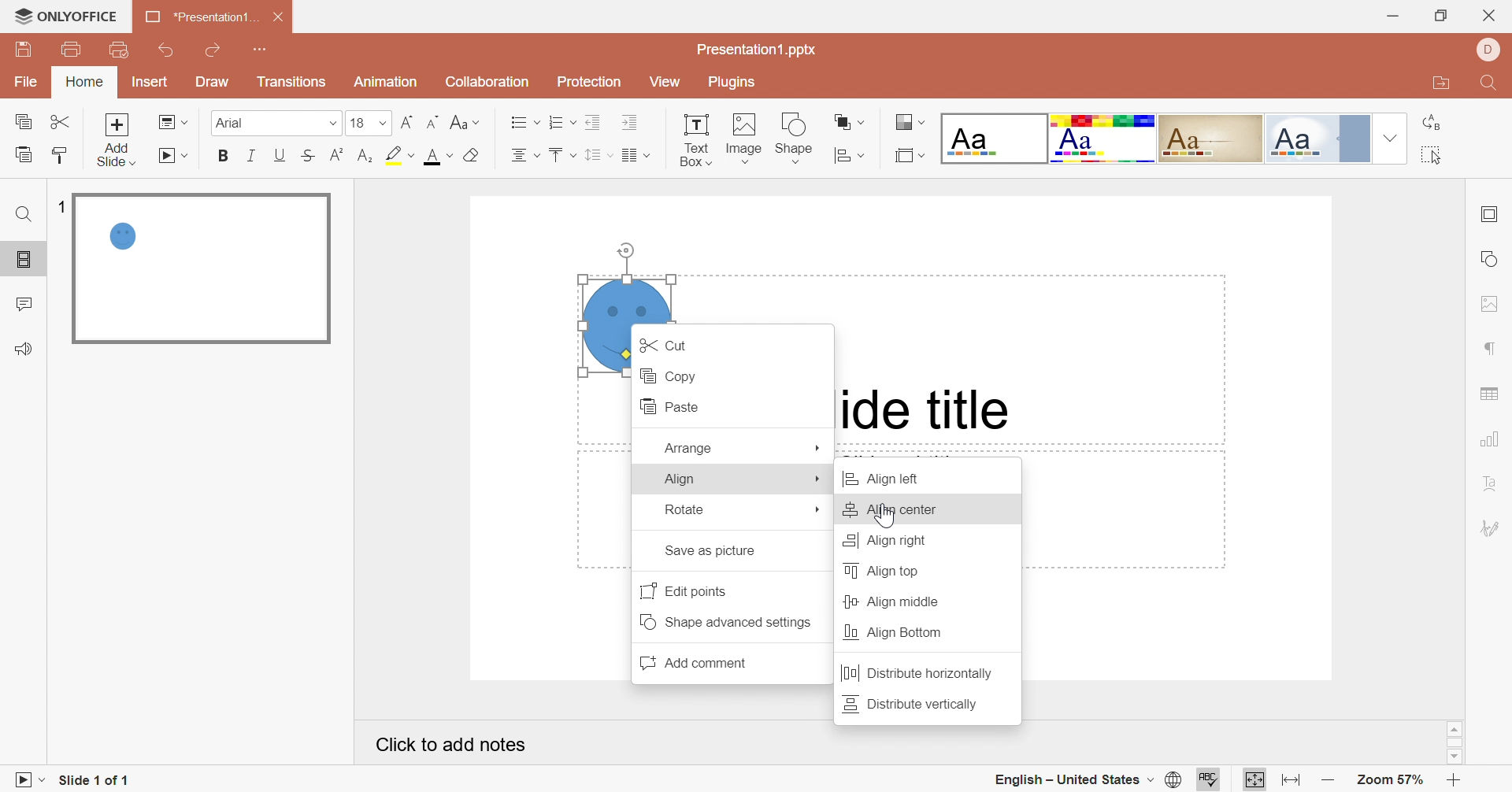 This screenshot has width=1512, height=792. I want to click on Drop Down, so click(1388, 138).